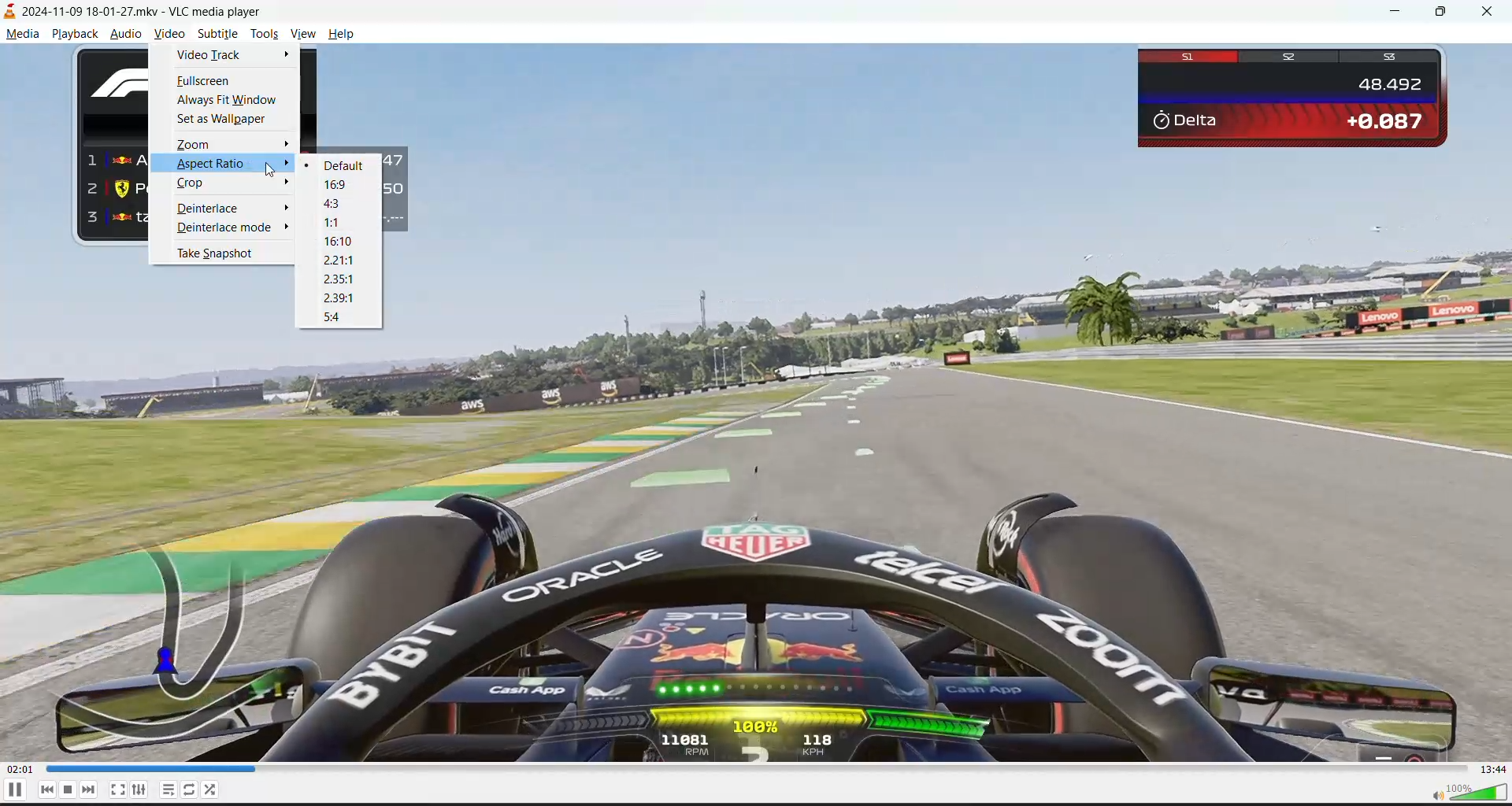  What do you see at coordinates (227, 227) in the screenshot?
I see `deinterlace mode` at bounding box center [227, 227].